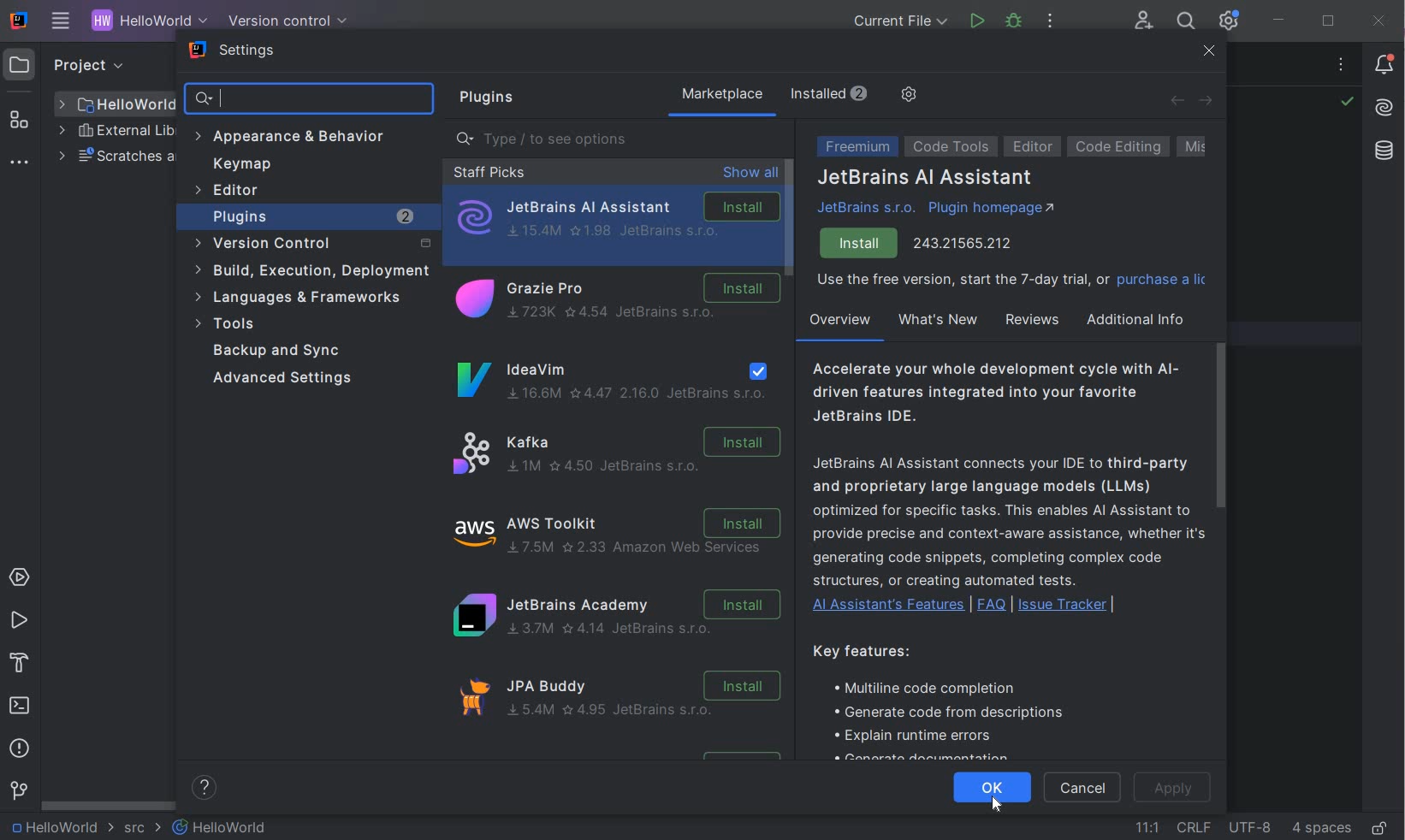 The height and width of the screenshot is (840, 1405). What do you see at coordinates (303, 324) in the screenshot?
I see `tools` at bounding box center [303, 324].